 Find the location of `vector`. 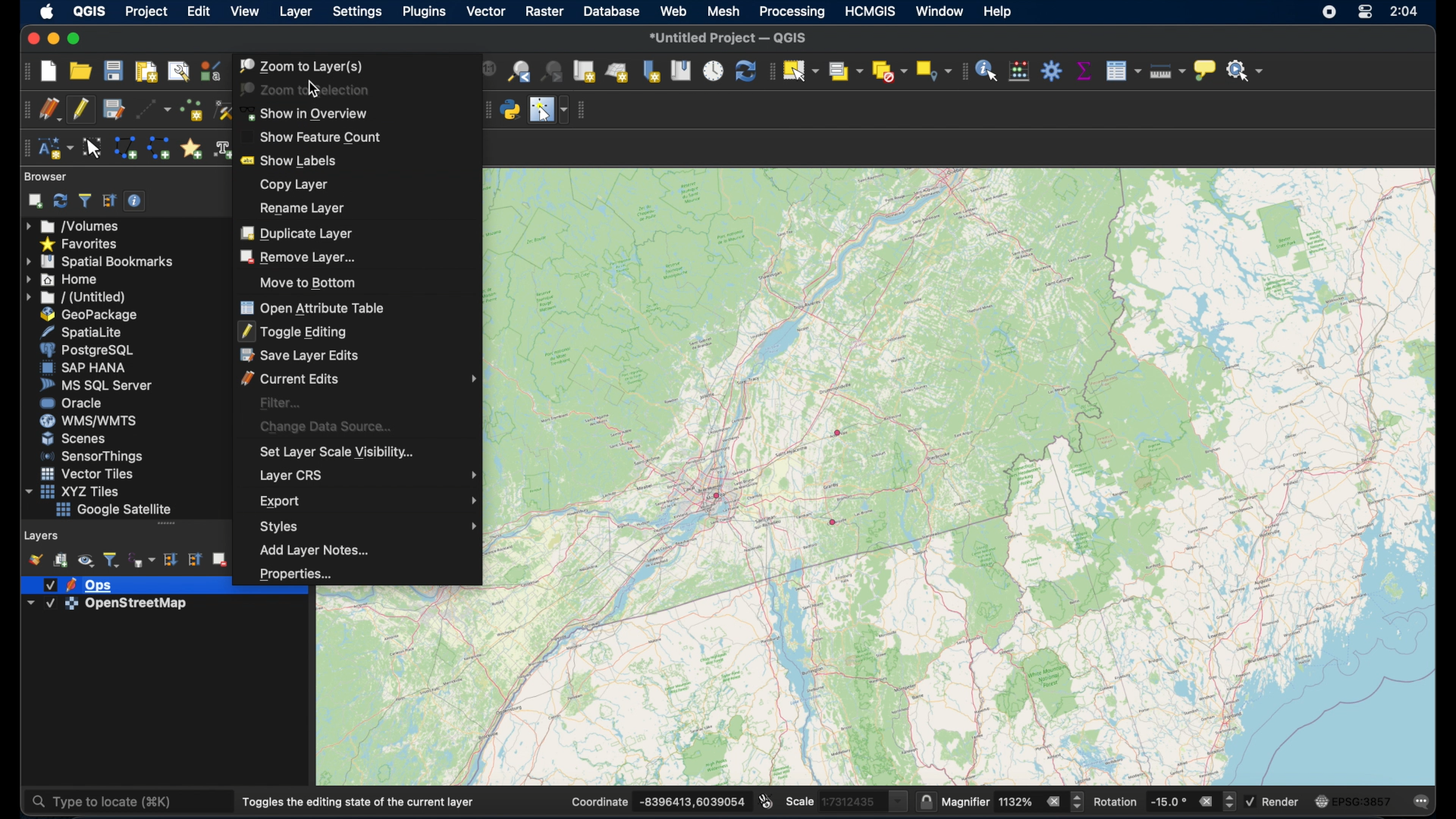

vector is located at coordinates (485, 12).